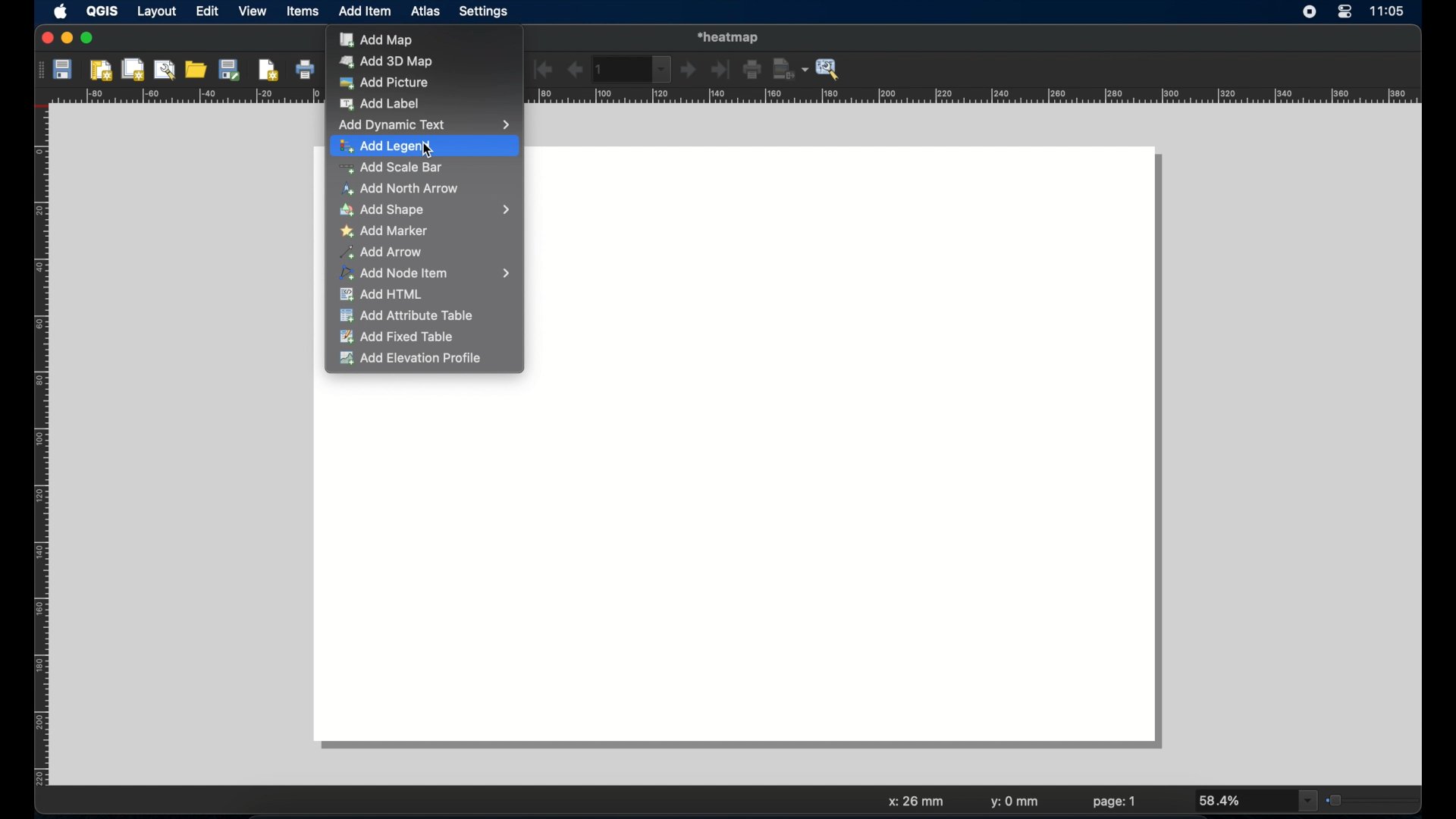  I want to click on export atlas as image, so click(791, 68).